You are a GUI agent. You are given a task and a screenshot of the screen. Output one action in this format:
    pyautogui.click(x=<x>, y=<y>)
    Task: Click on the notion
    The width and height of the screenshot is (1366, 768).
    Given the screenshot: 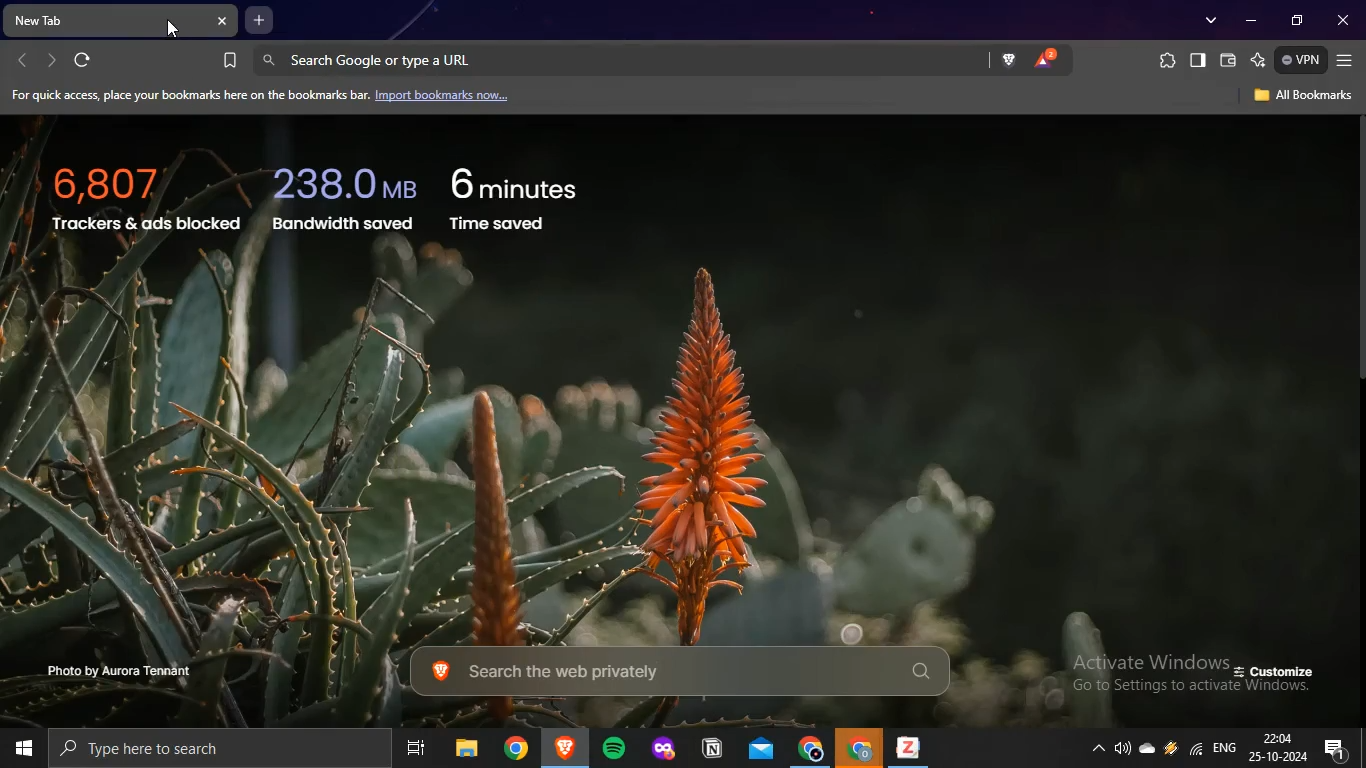 What is the action you would take?
    pyautogui.click(x=710, y=747)
    